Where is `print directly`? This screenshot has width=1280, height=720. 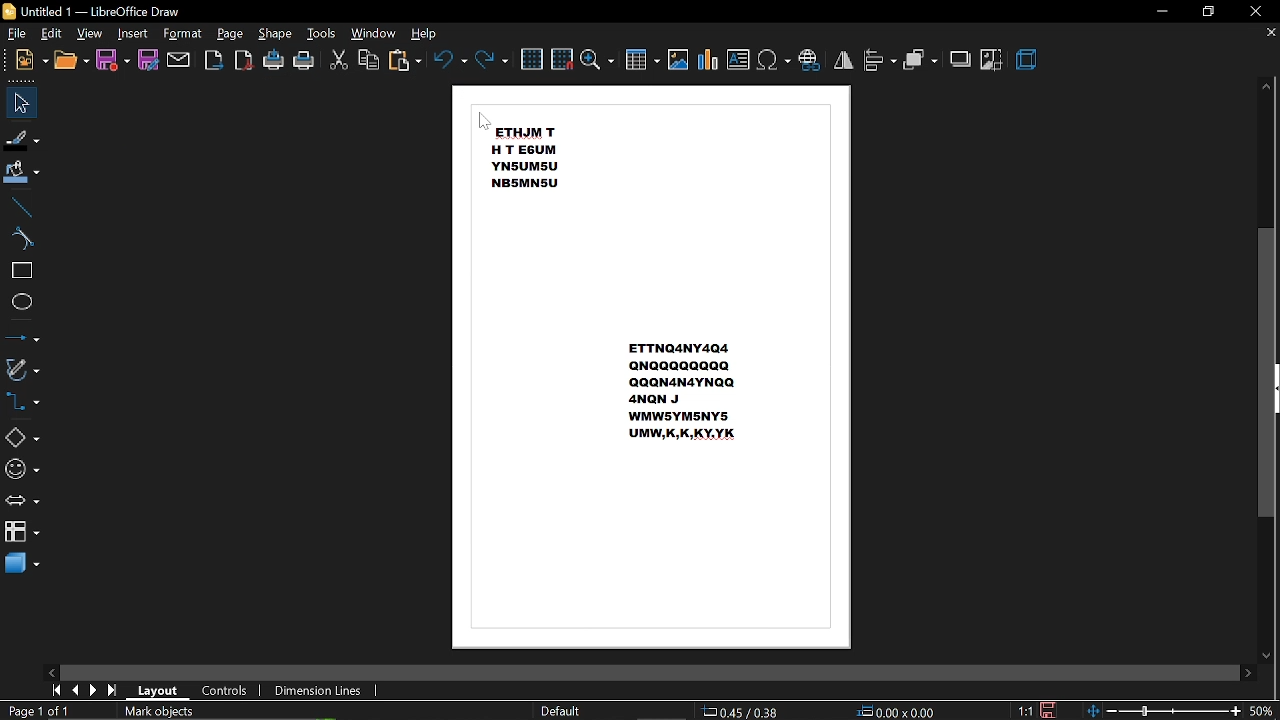 print directly is located at coordinates (274, 61).